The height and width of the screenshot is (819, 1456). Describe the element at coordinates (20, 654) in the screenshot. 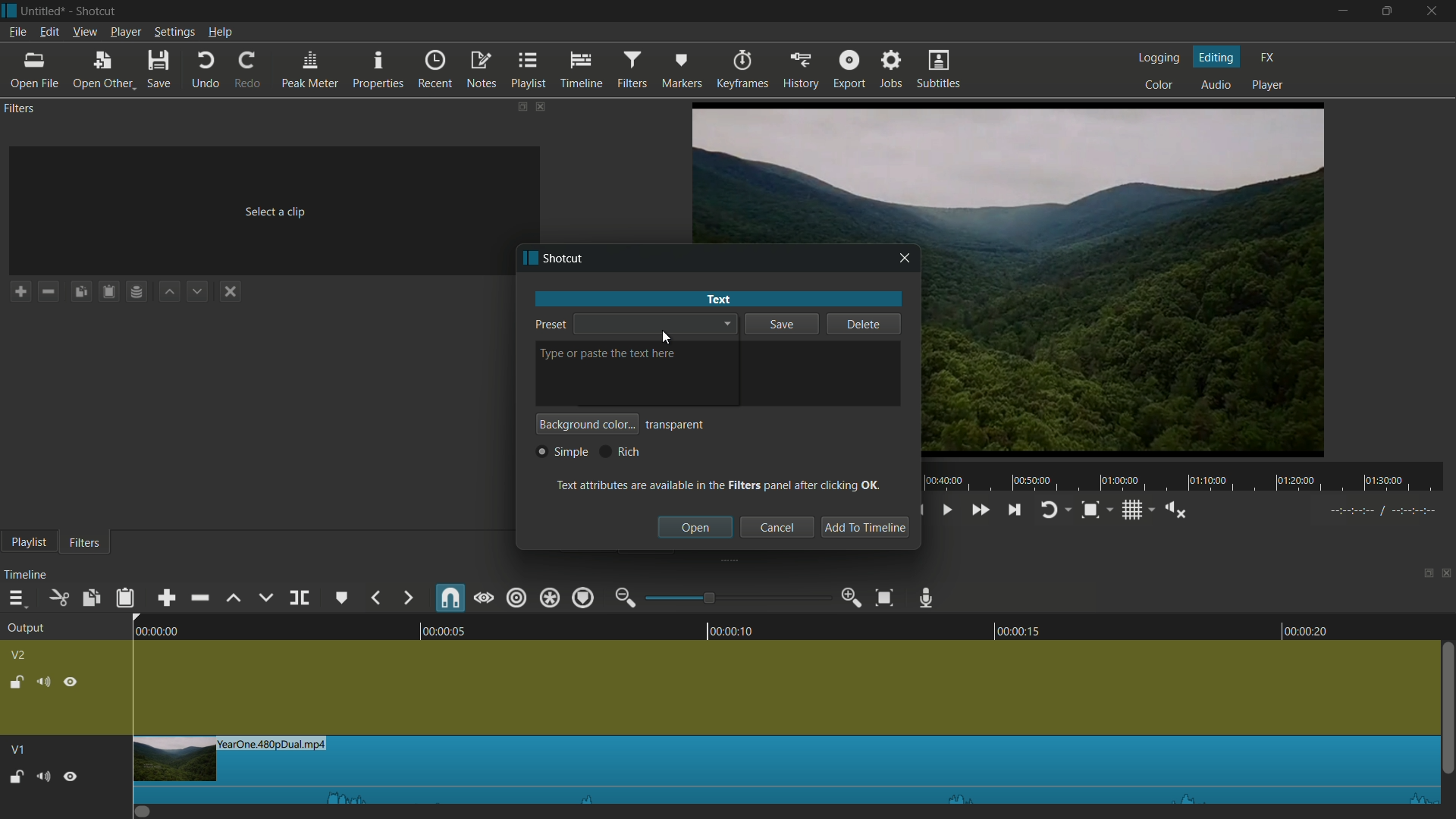

I see `v2` at that location.